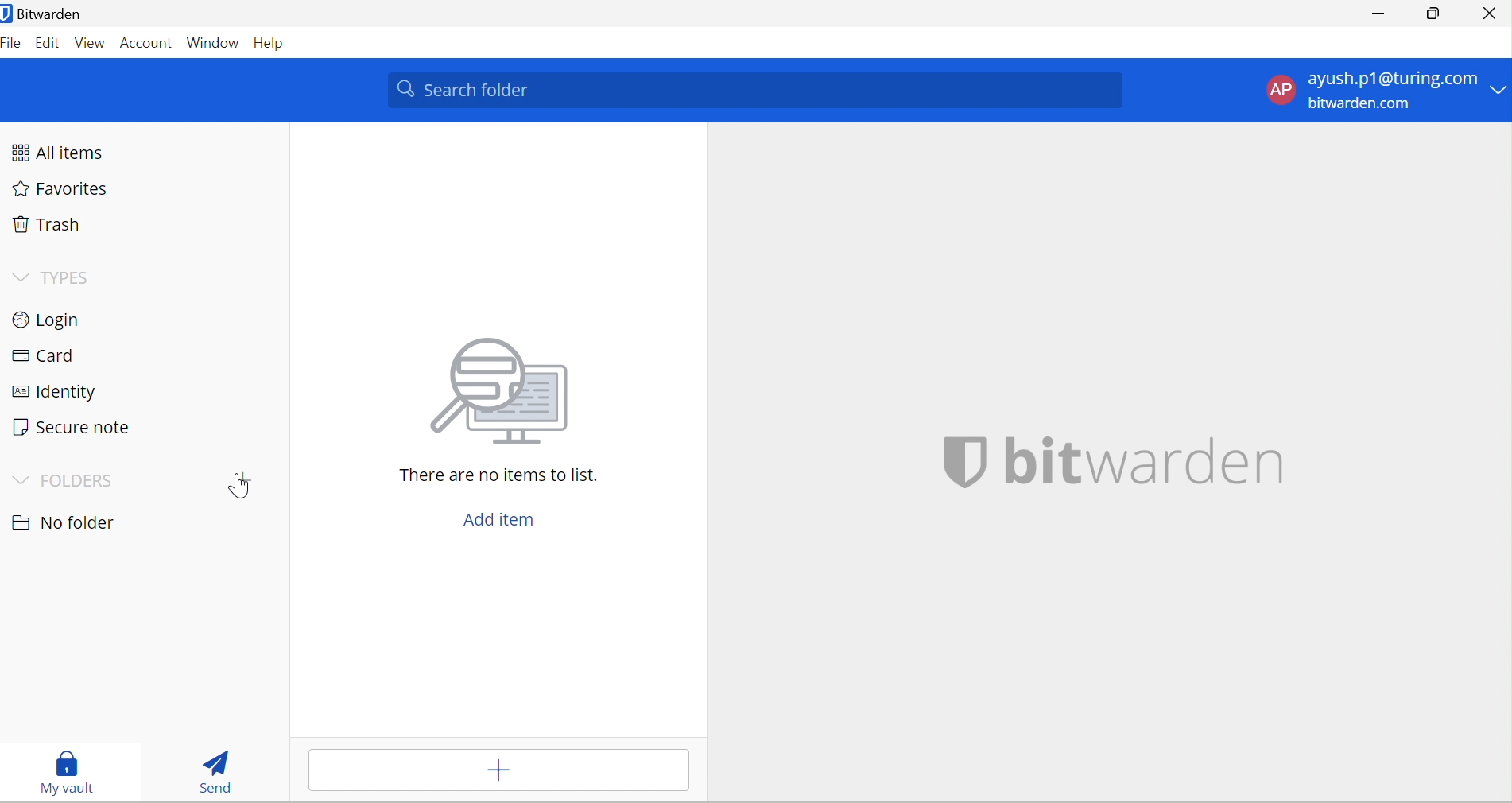 This screenshot has height=803, width=1512. Describe the element at coordinates (14, 44) in the screenshot. I see `File` at that location.